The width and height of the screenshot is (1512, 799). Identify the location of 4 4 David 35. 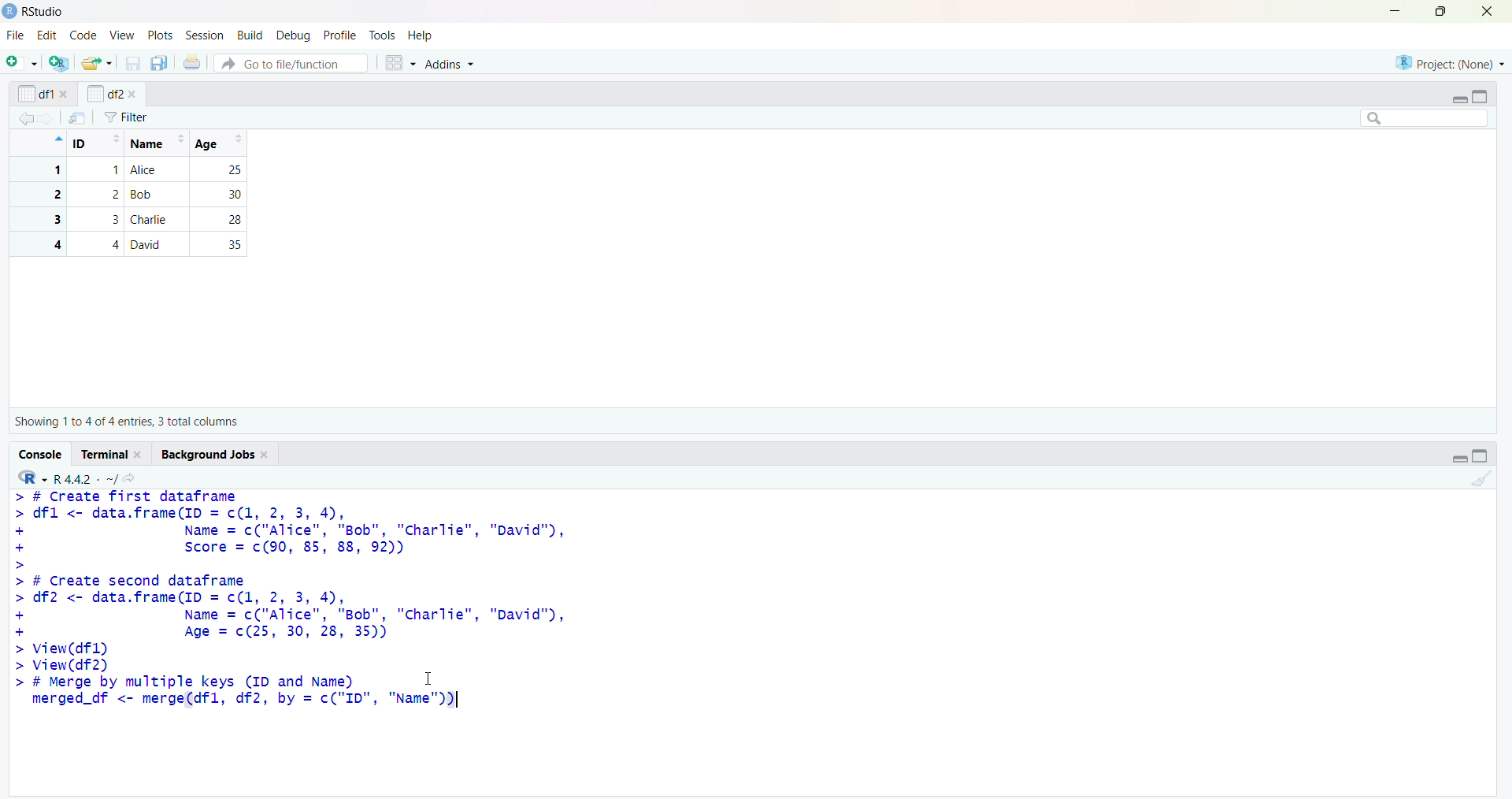
(135, 244).